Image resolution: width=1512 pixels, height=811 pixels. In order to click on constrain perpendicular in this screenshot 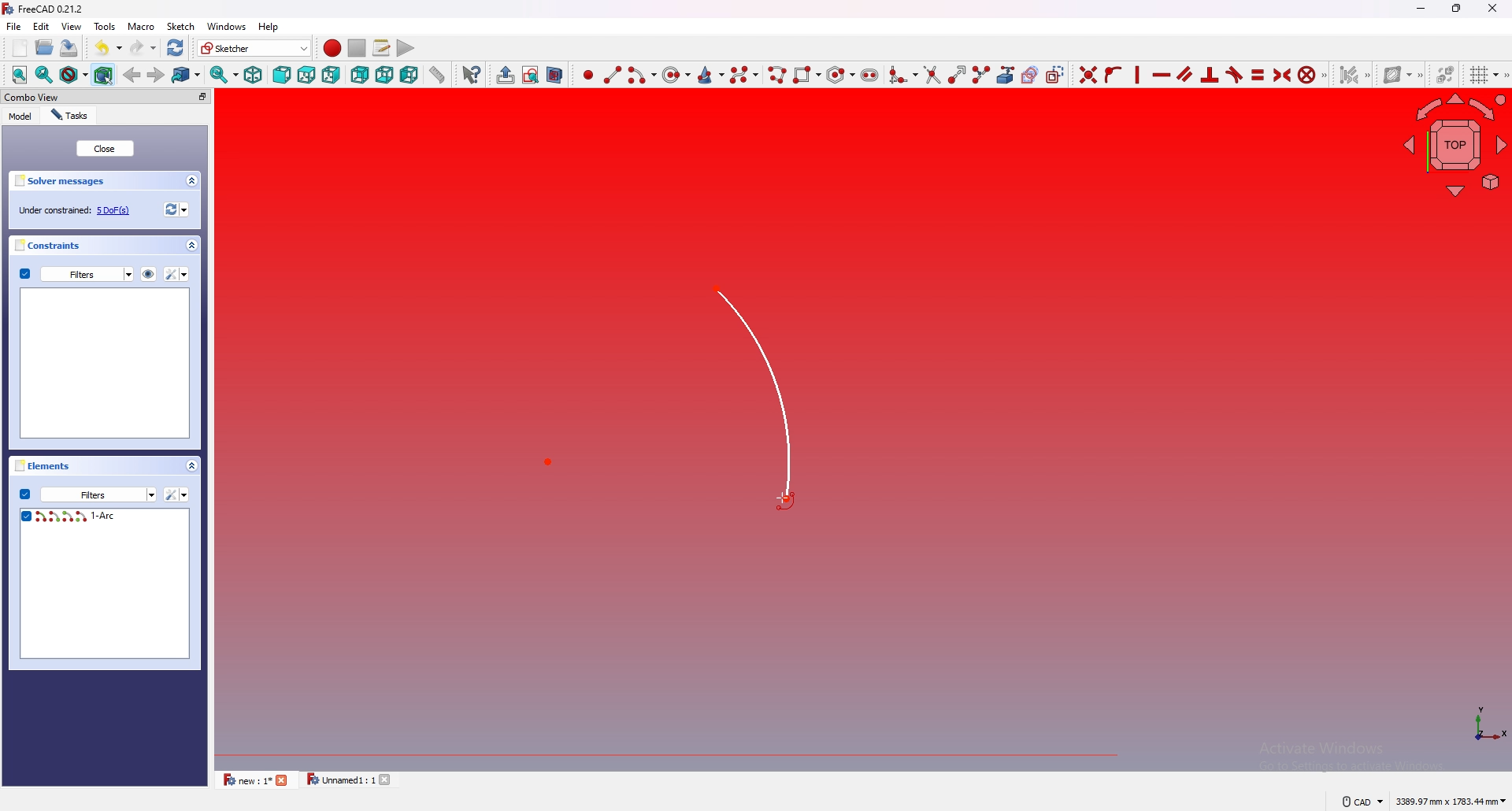, I will do `click(1210, 76)`.